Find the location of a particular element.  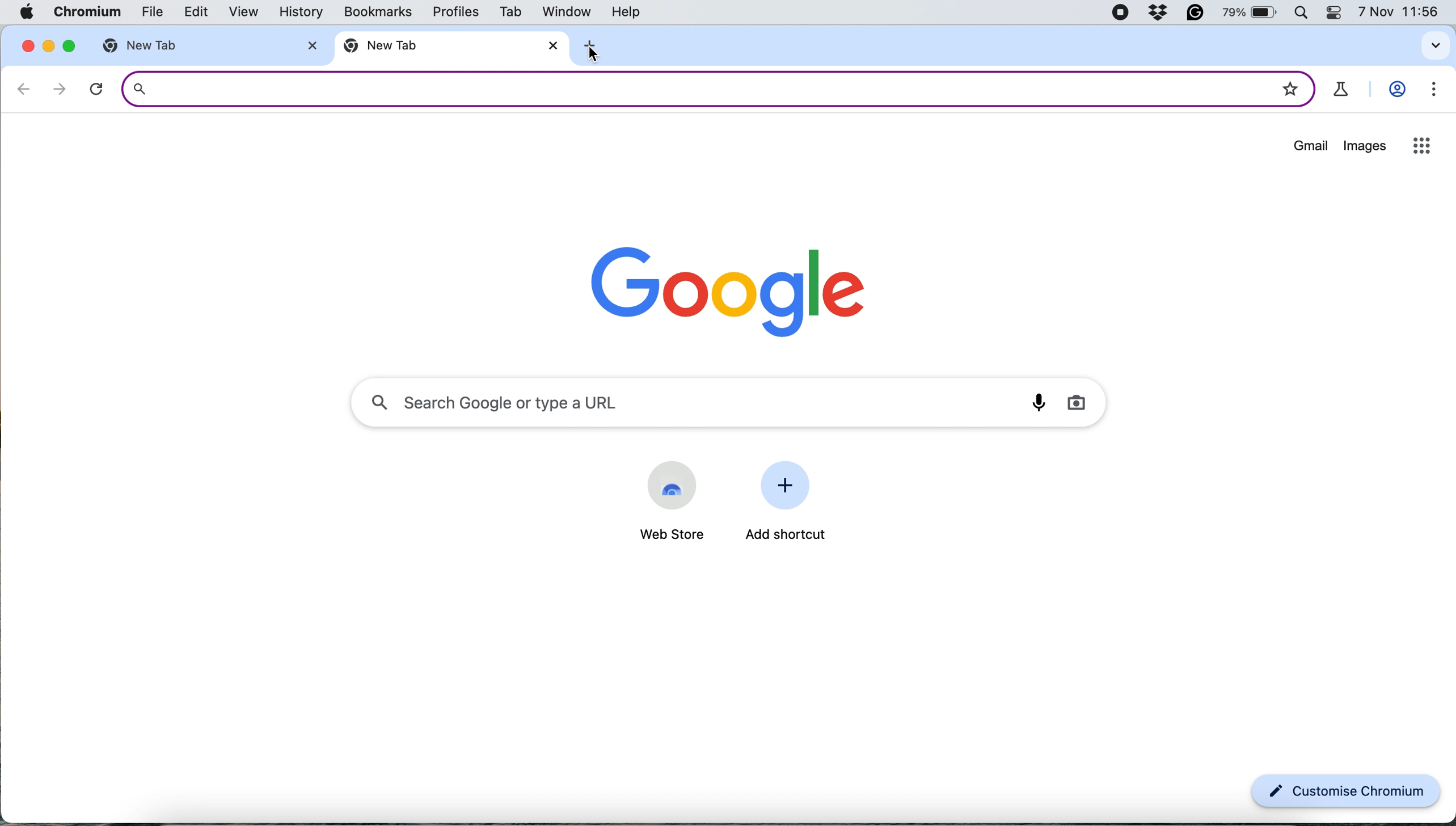

search google or type a url is located at coordinates (731, 399).